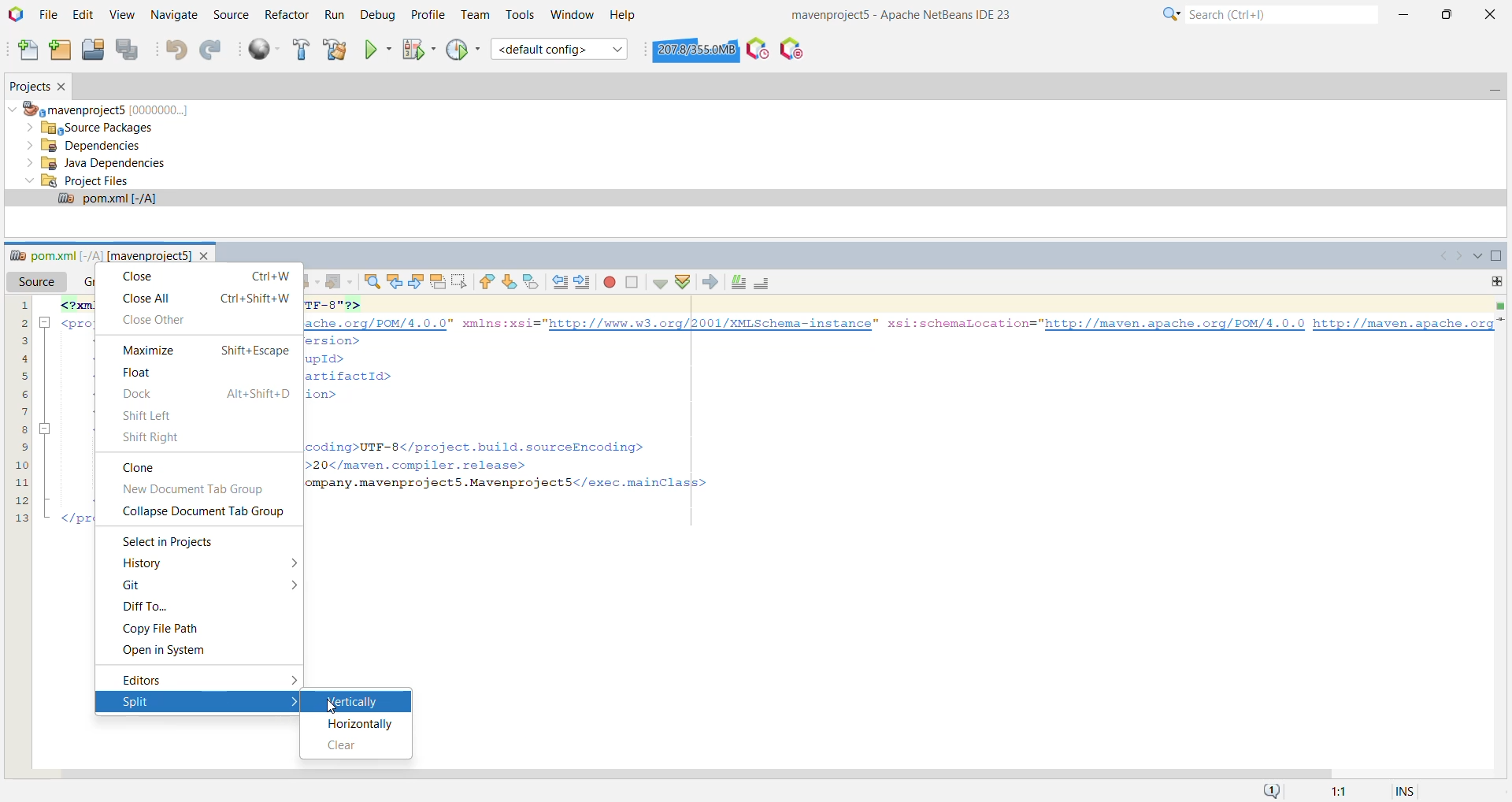 Image resolution: width=1512 pixels, height=802 pixels. Describe the element at coordinates (20, 375) in the screenshot. I see `5` at that location.